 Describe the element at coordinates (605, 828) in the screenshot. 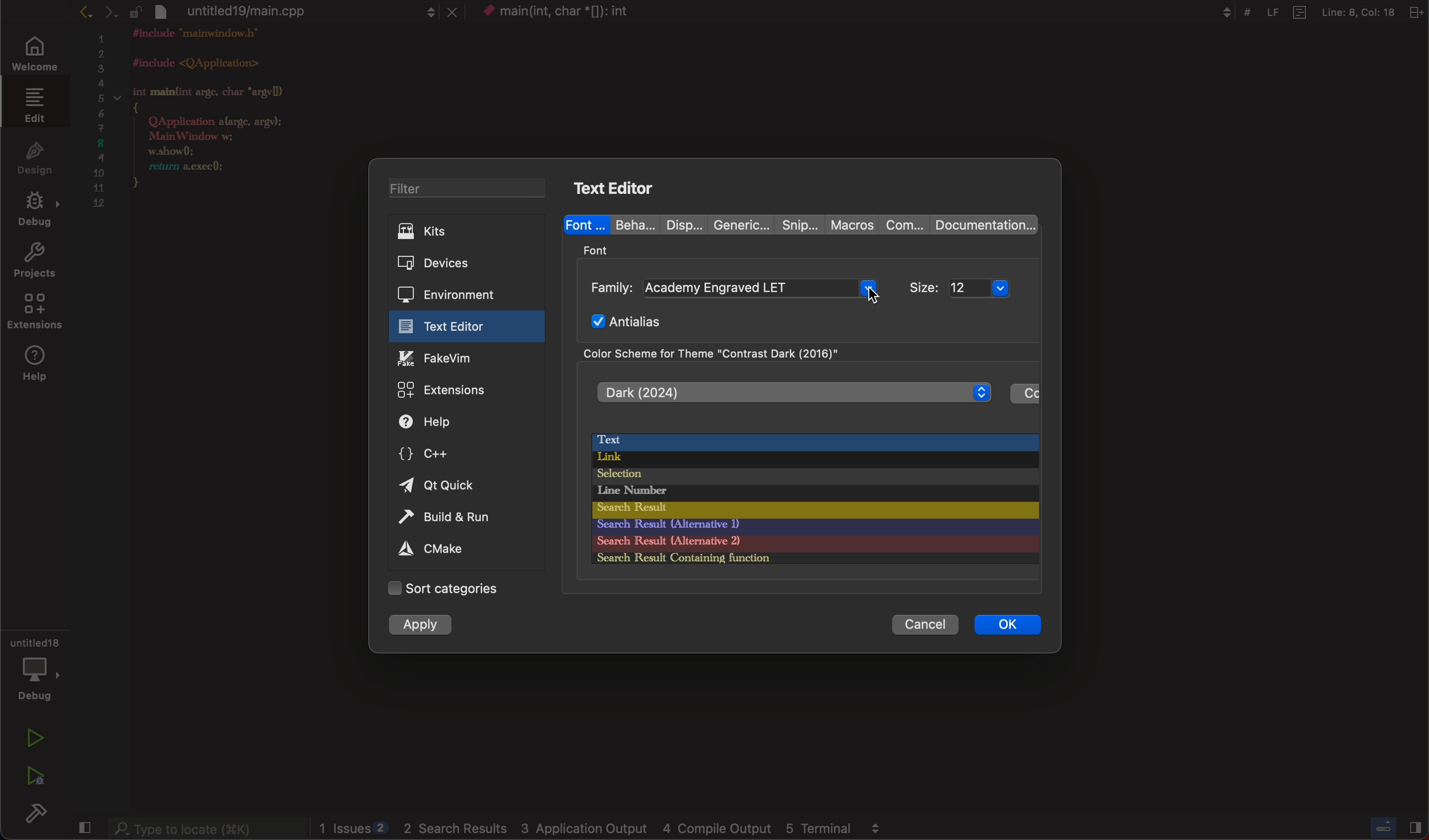

I see `logs` at that location.